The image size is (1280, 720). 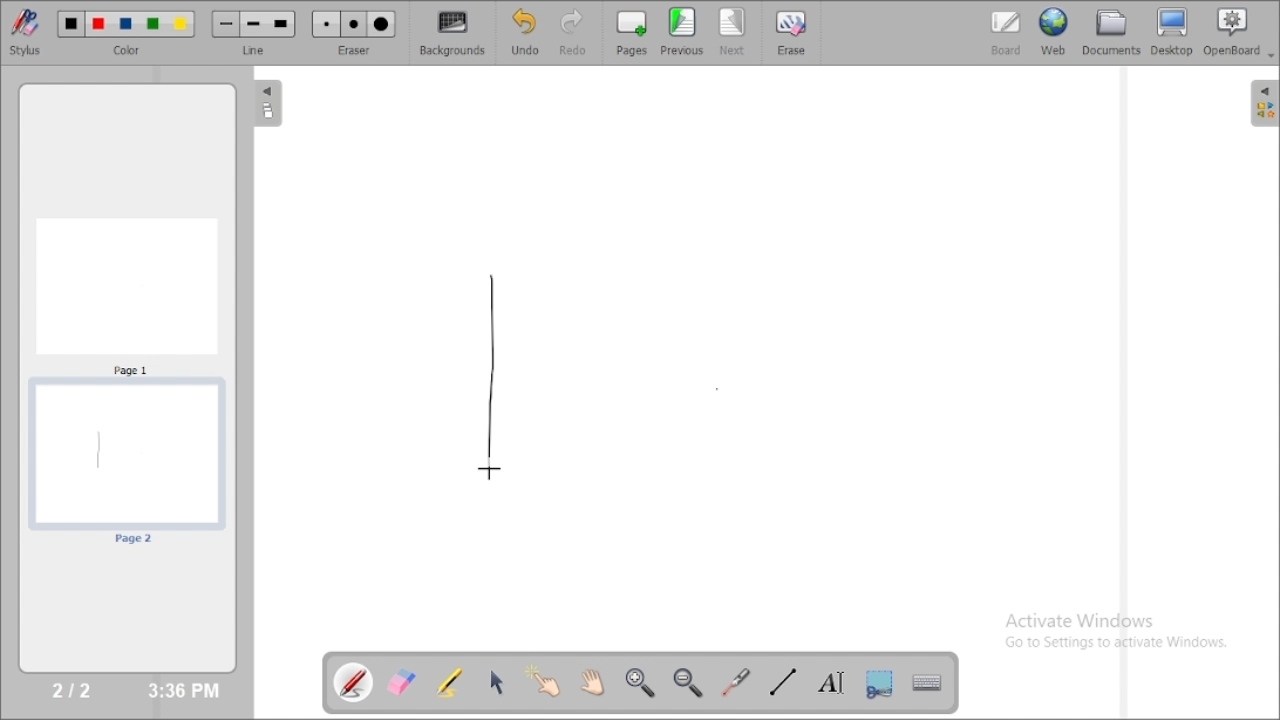 I want to click on pages, so click(x=632, y=32).